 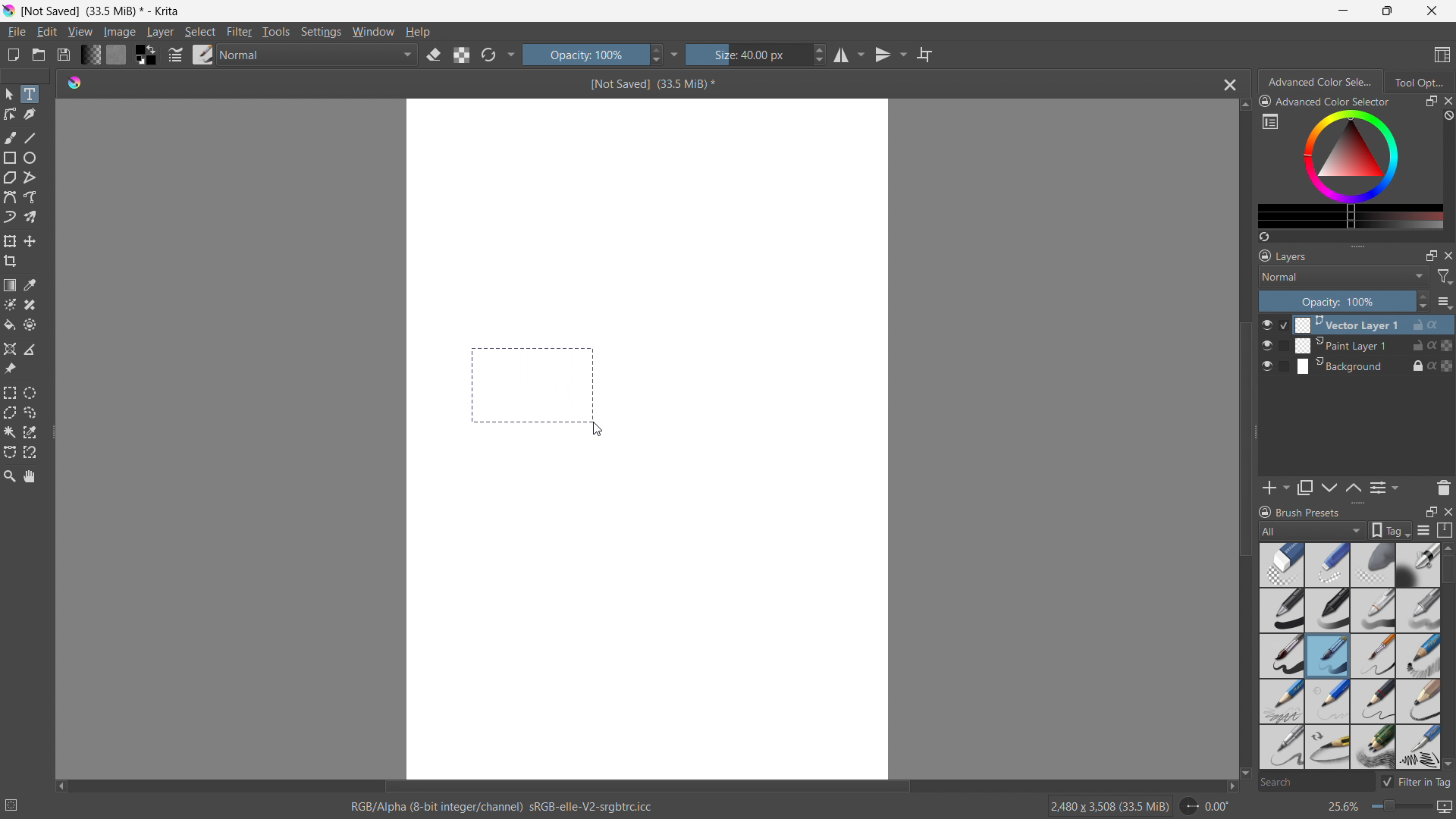 What do you see at coordinates (1344, 301) in the screenshot?
I see `opacity control` at bounding box center [1344, 301].